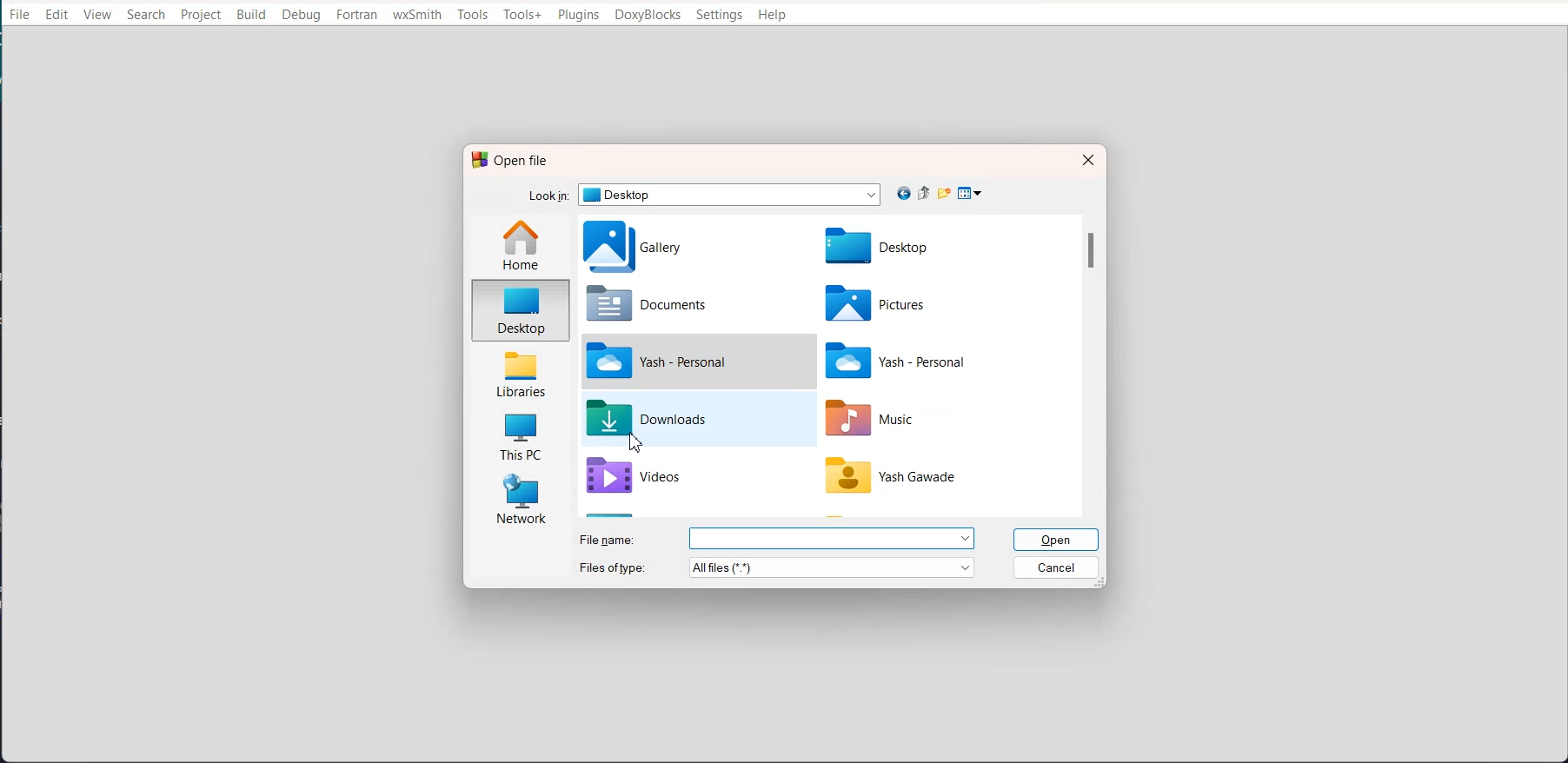 This screenshot has width=1568, height=763. What do you see at coordinates (523, 15) in the screenshot?
I see `Tools+` at bounding box center [523, 15].